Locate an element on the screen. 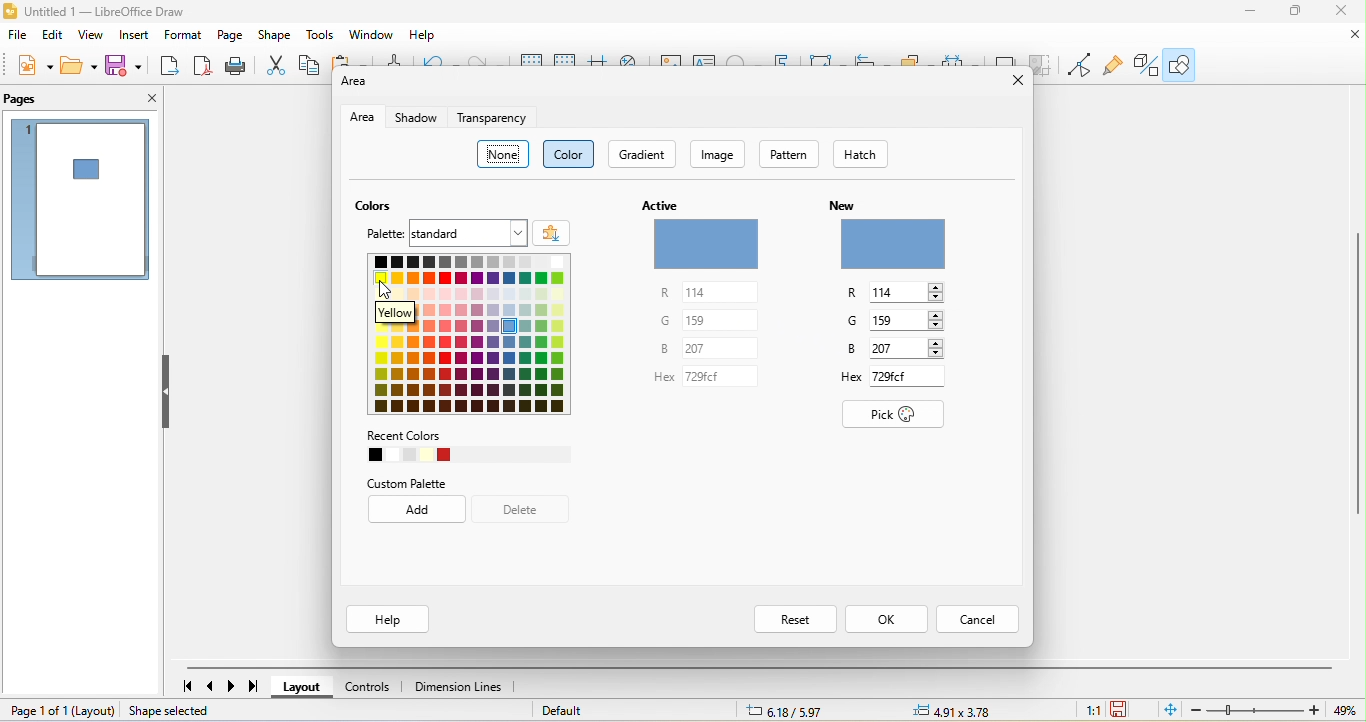 This screenshot has height=722, width=1366. b 207 is located at coordinates (902, 349).